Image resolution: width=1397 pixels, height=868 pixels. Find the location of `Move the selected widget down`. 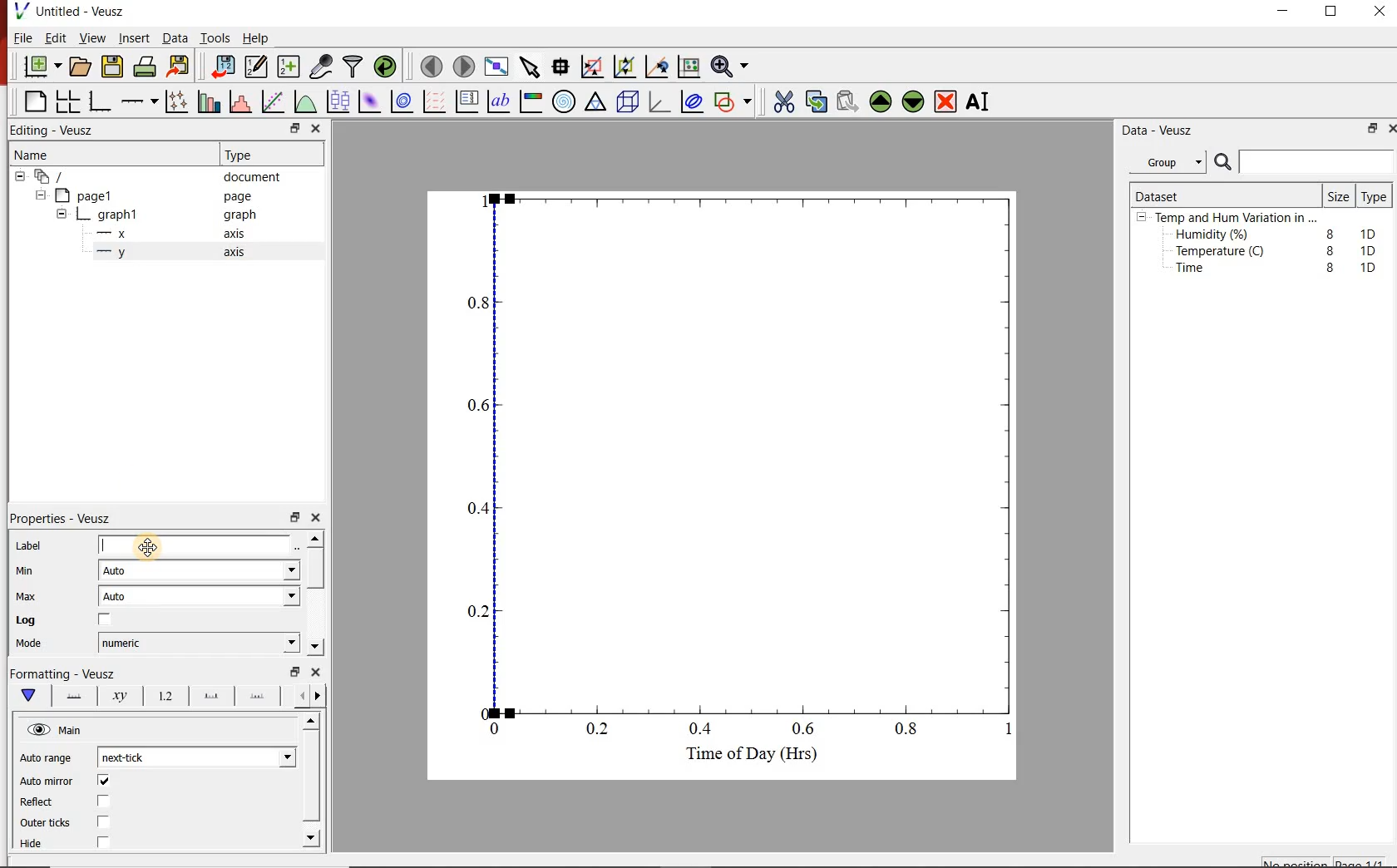

Move the selected widget down is located at coordinates (916, 101).